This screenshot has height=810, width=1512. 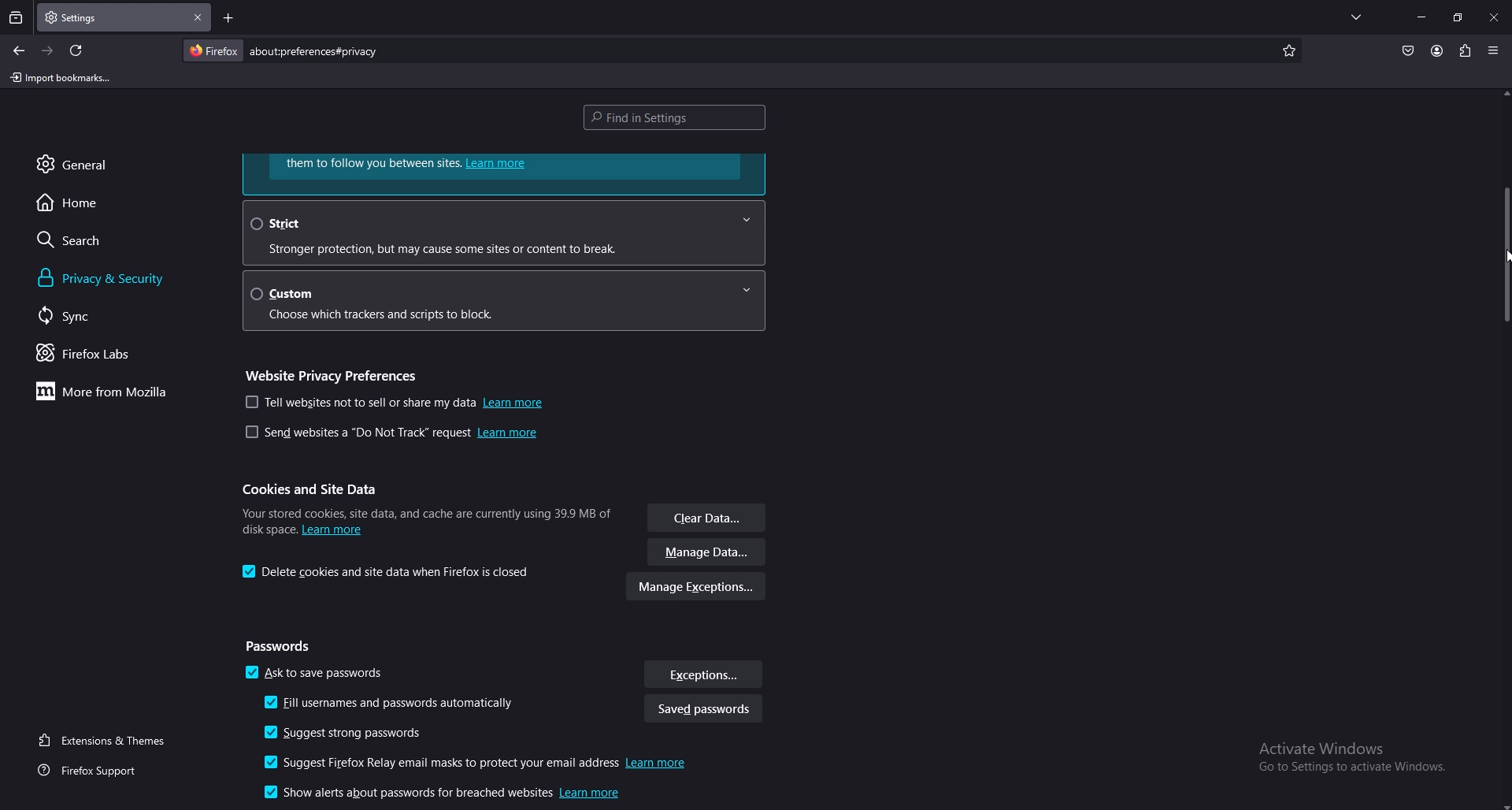 I want to click on info, so click(x=425, y=518).